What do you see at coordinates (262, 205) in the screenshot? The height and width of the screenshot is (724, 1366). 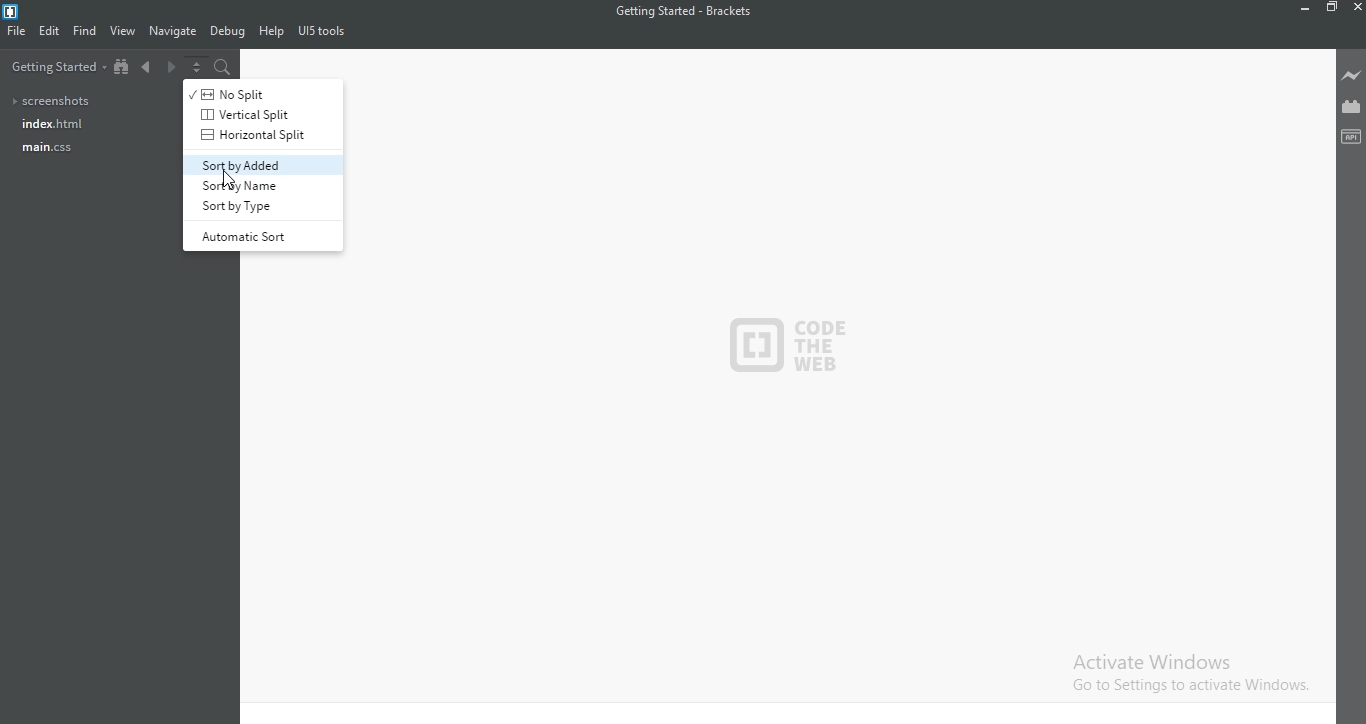 I see `sort by type` at bounding box center [262, 205].